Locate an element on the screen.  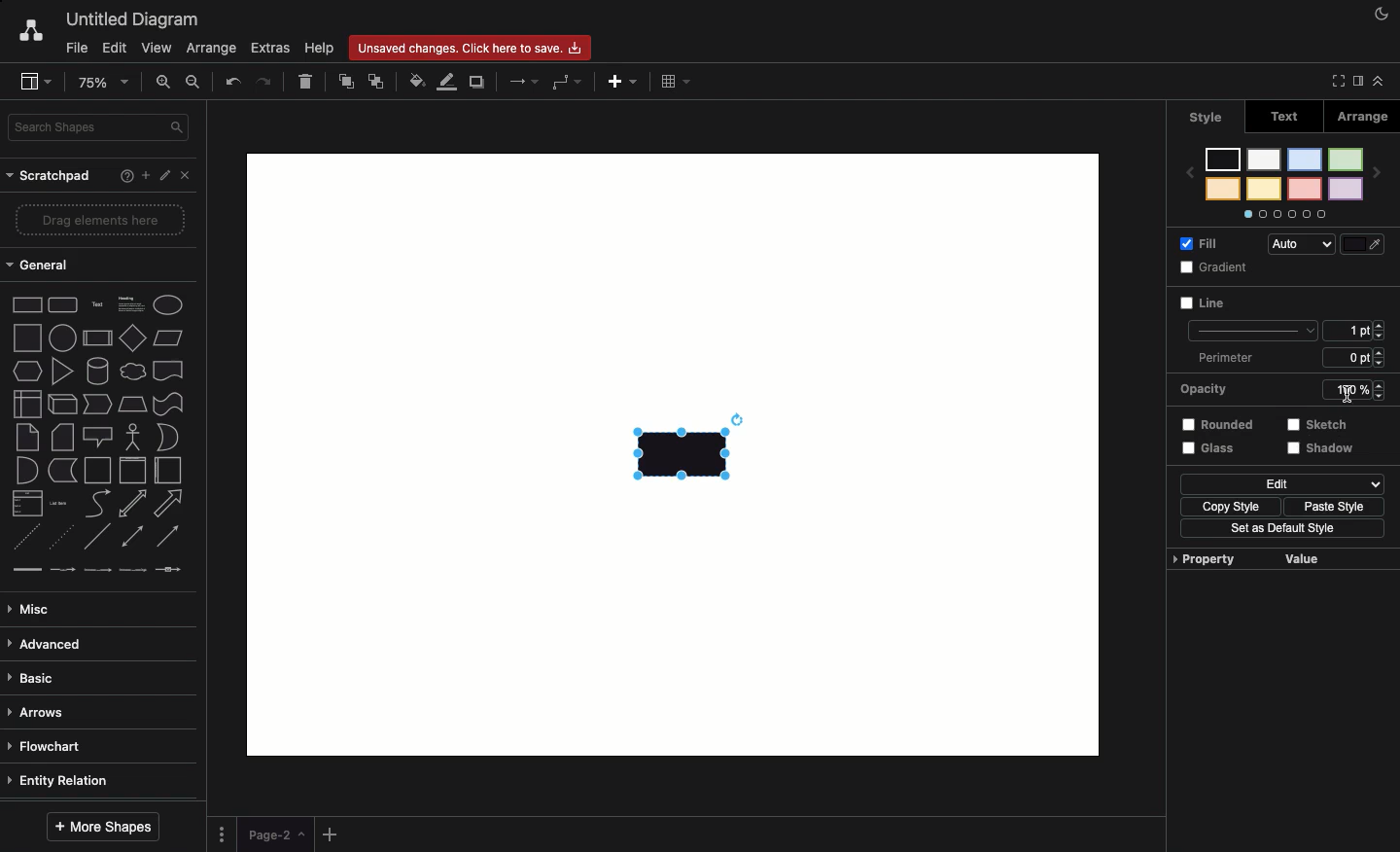
Parallelogram is located at coordinates (166, 337).